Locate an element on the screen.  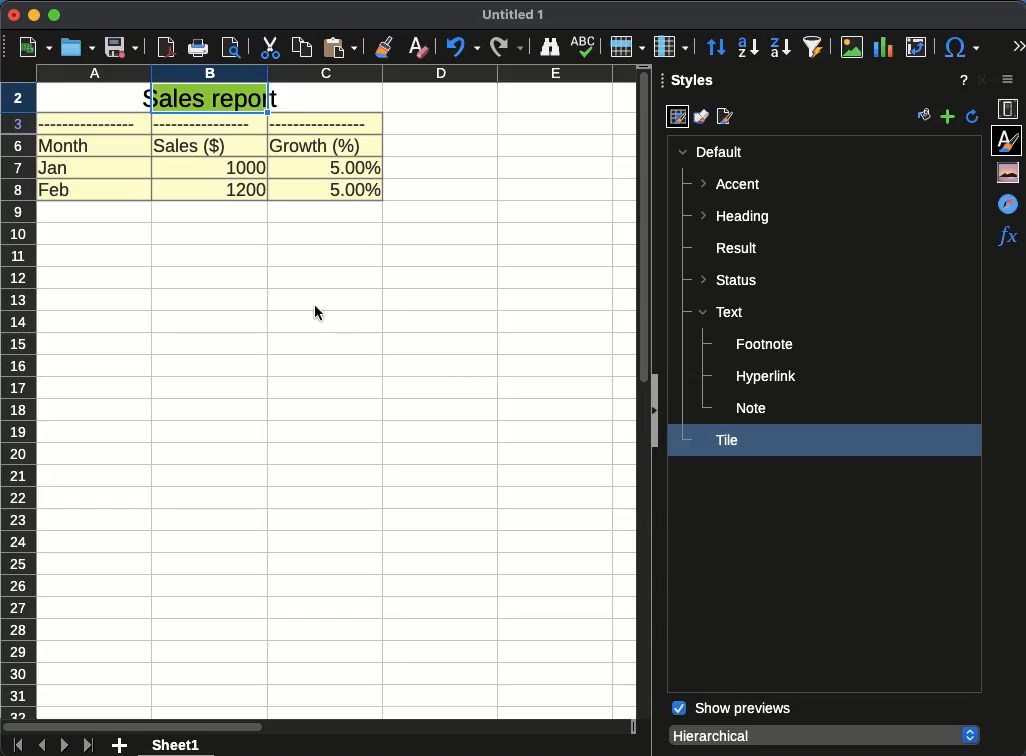
gallery is located at coordinates (1011, 172).